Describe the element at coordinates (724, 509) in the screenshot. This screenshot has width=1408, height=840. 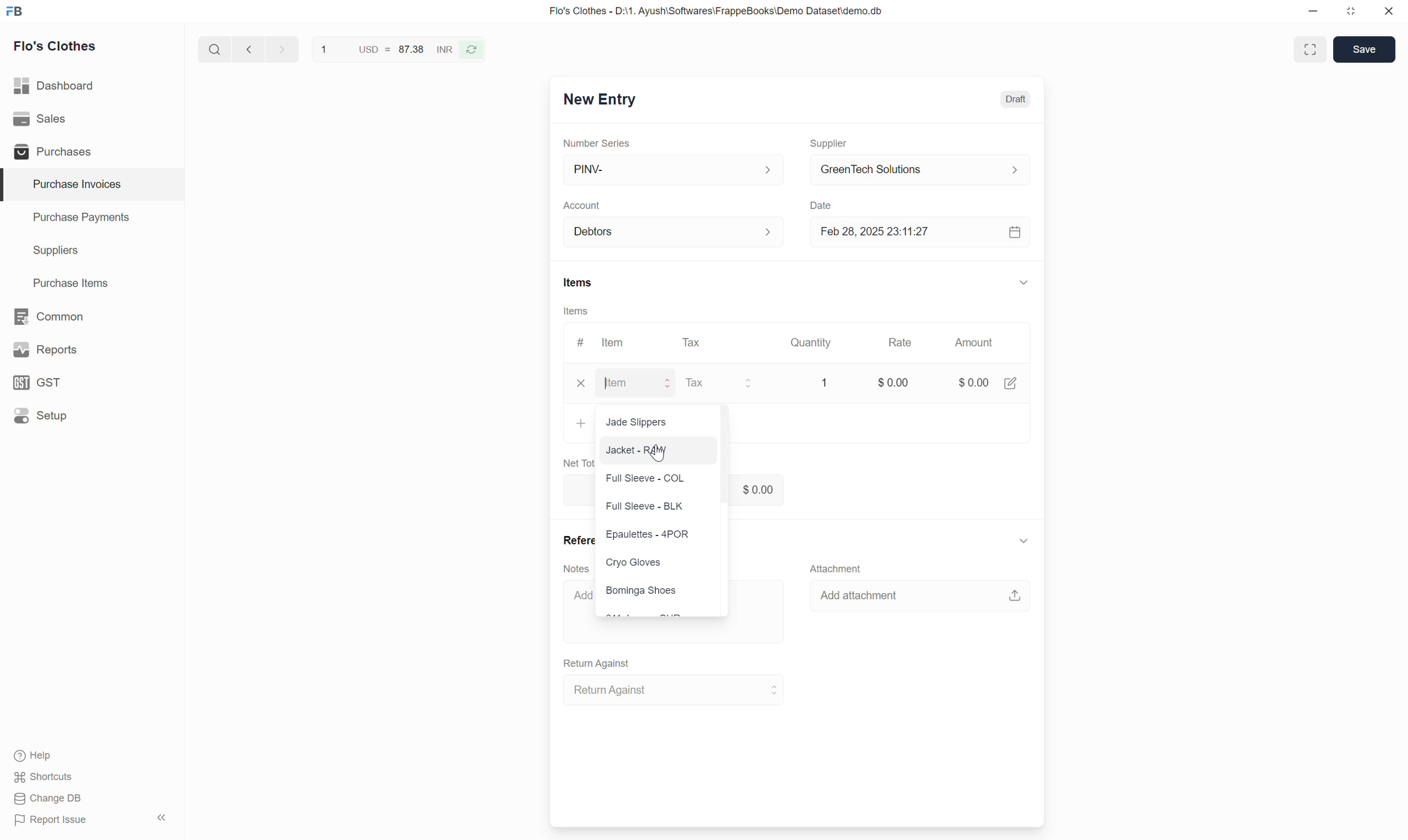
I see `Vertical slide bar` at that location.